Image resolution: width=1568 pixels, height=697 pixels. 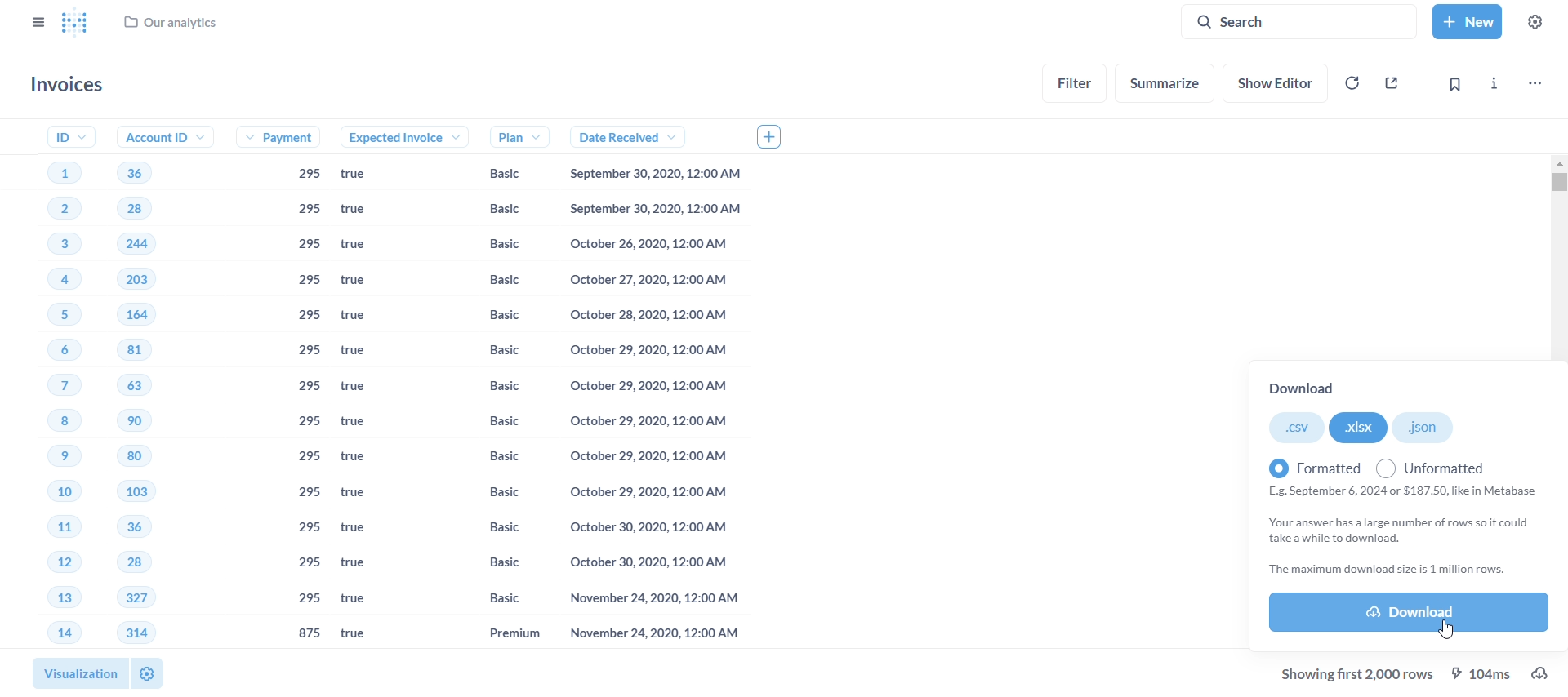 What do you see at coordinates (138, 243) in the screenshot?
I see `244` at bounding box center [138, 243].